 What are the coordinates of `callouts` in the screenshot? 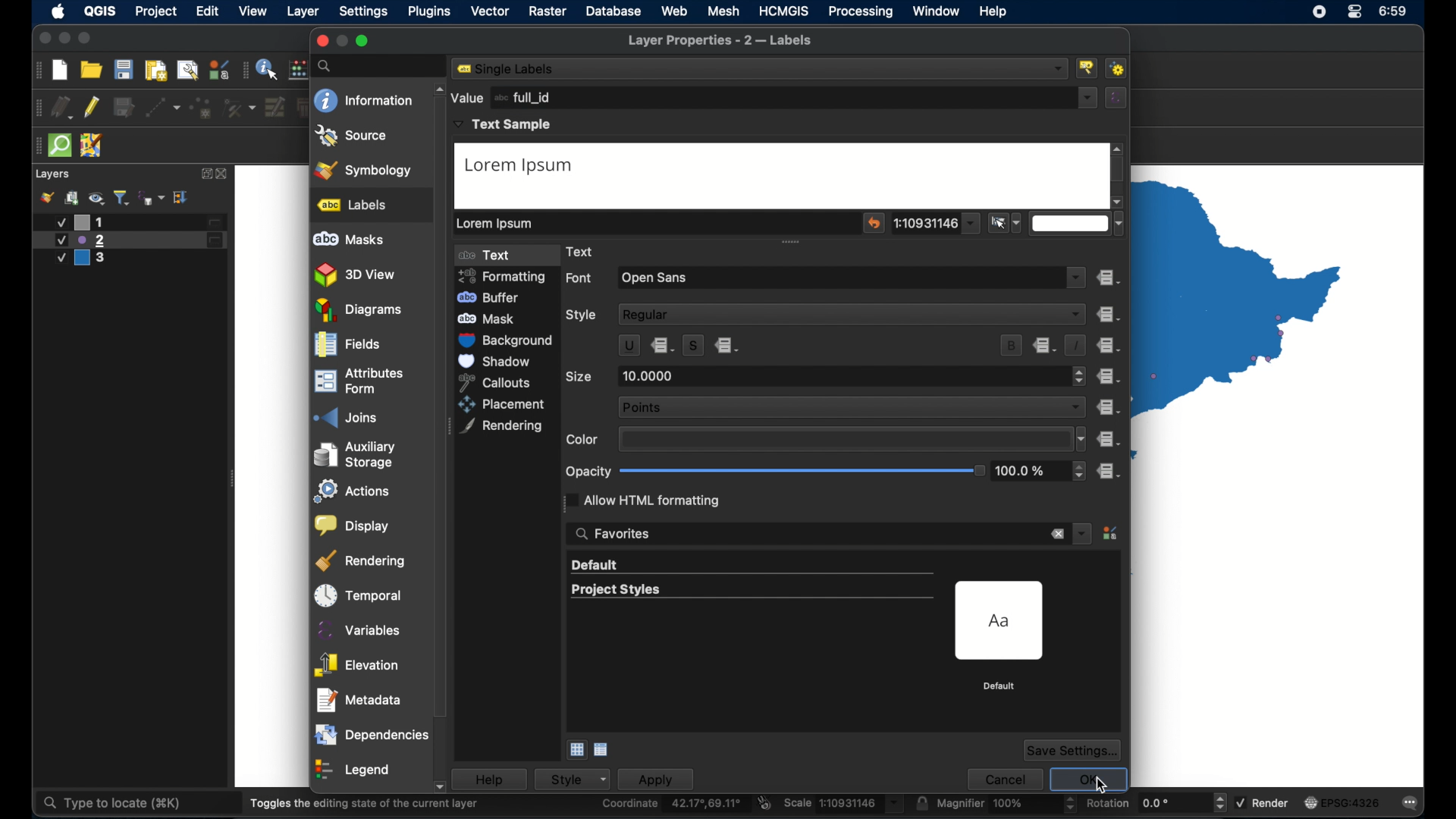 It's located at (501, 381).